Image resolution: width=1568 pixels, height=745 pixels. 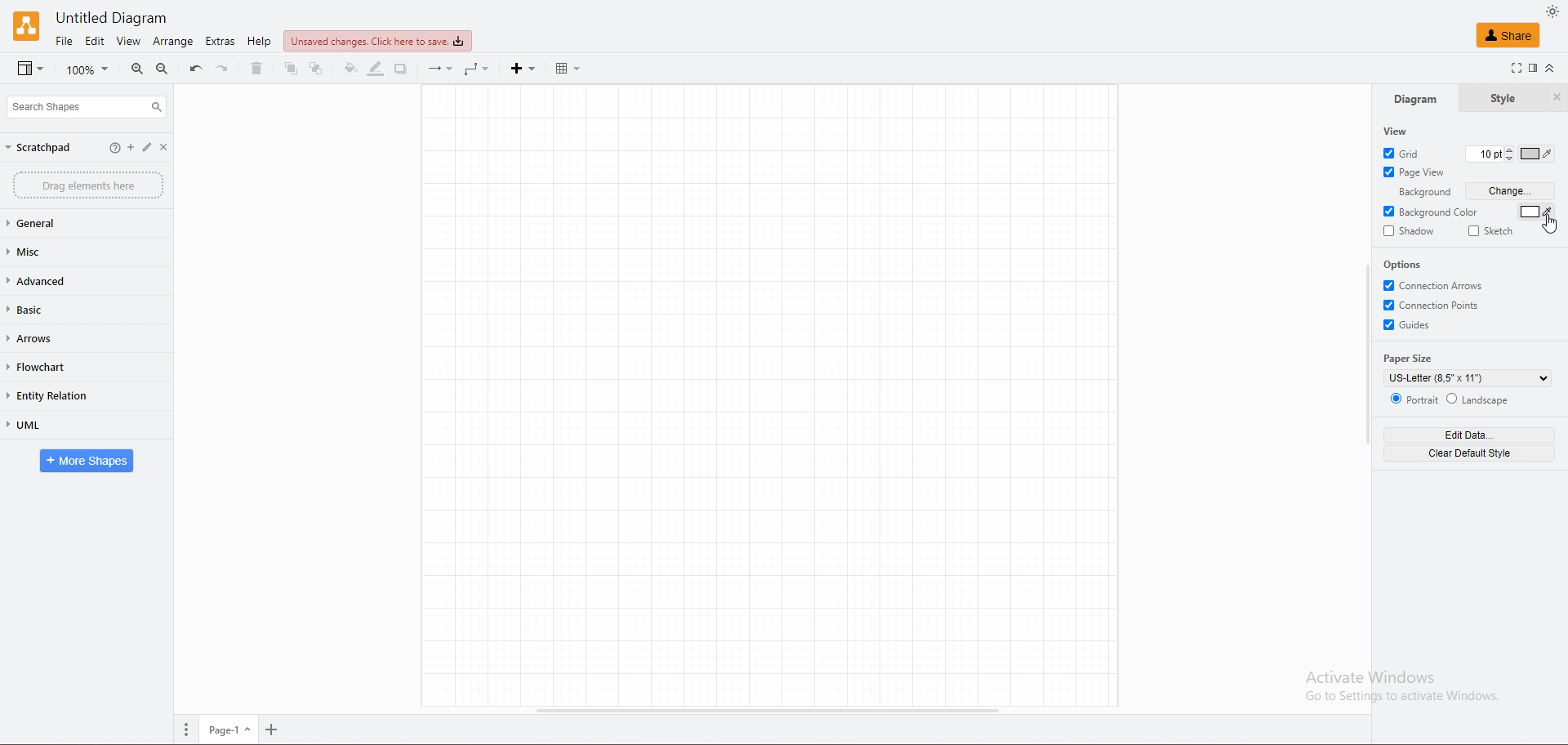 What do you see at coordinates (1512, 68) in the screenshot?
I see `full screen` at bounding box center [1512, 68].